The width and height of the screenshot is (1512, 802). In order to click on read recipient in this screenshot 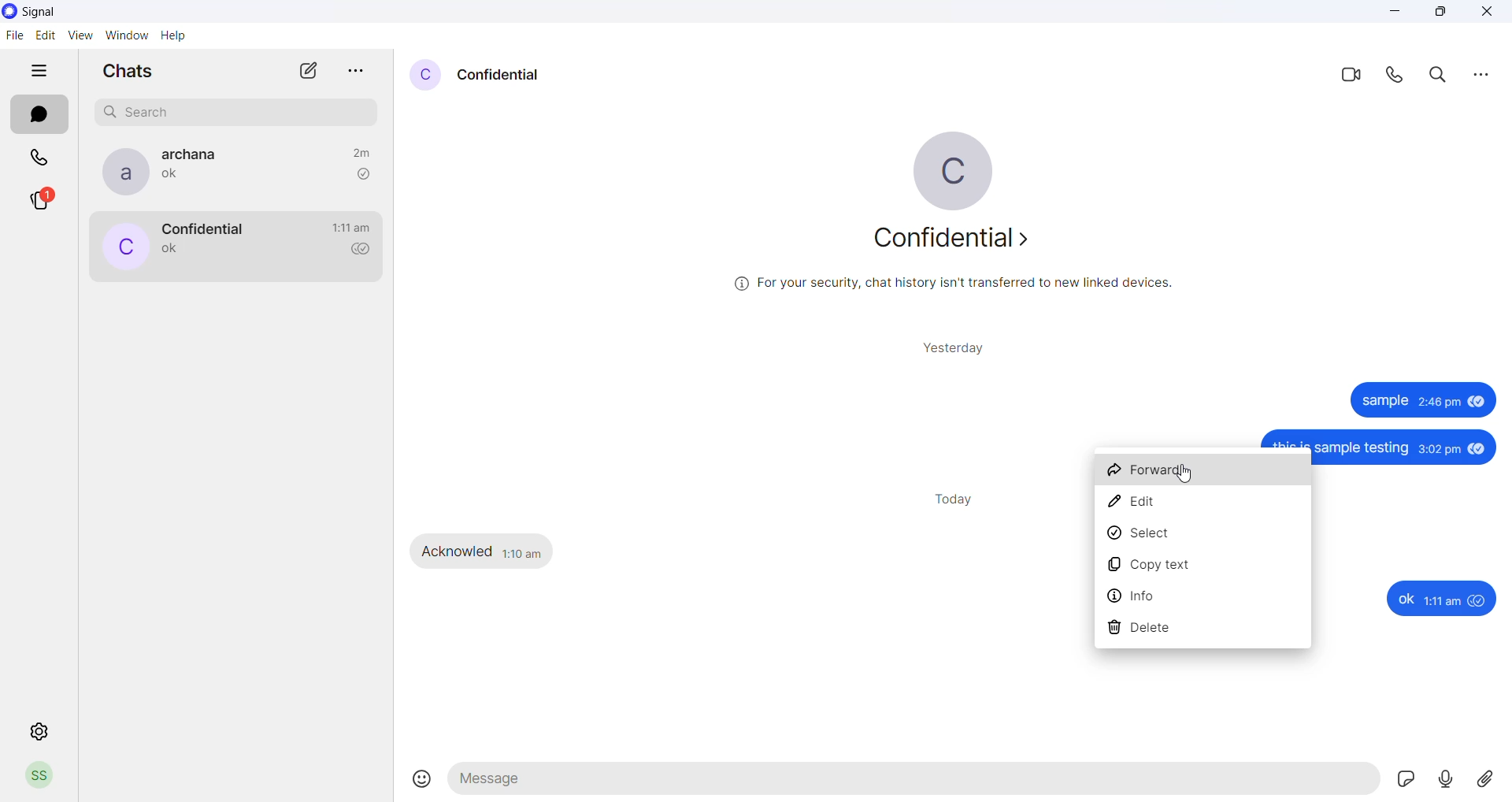, I will do `click(363, 174)`.